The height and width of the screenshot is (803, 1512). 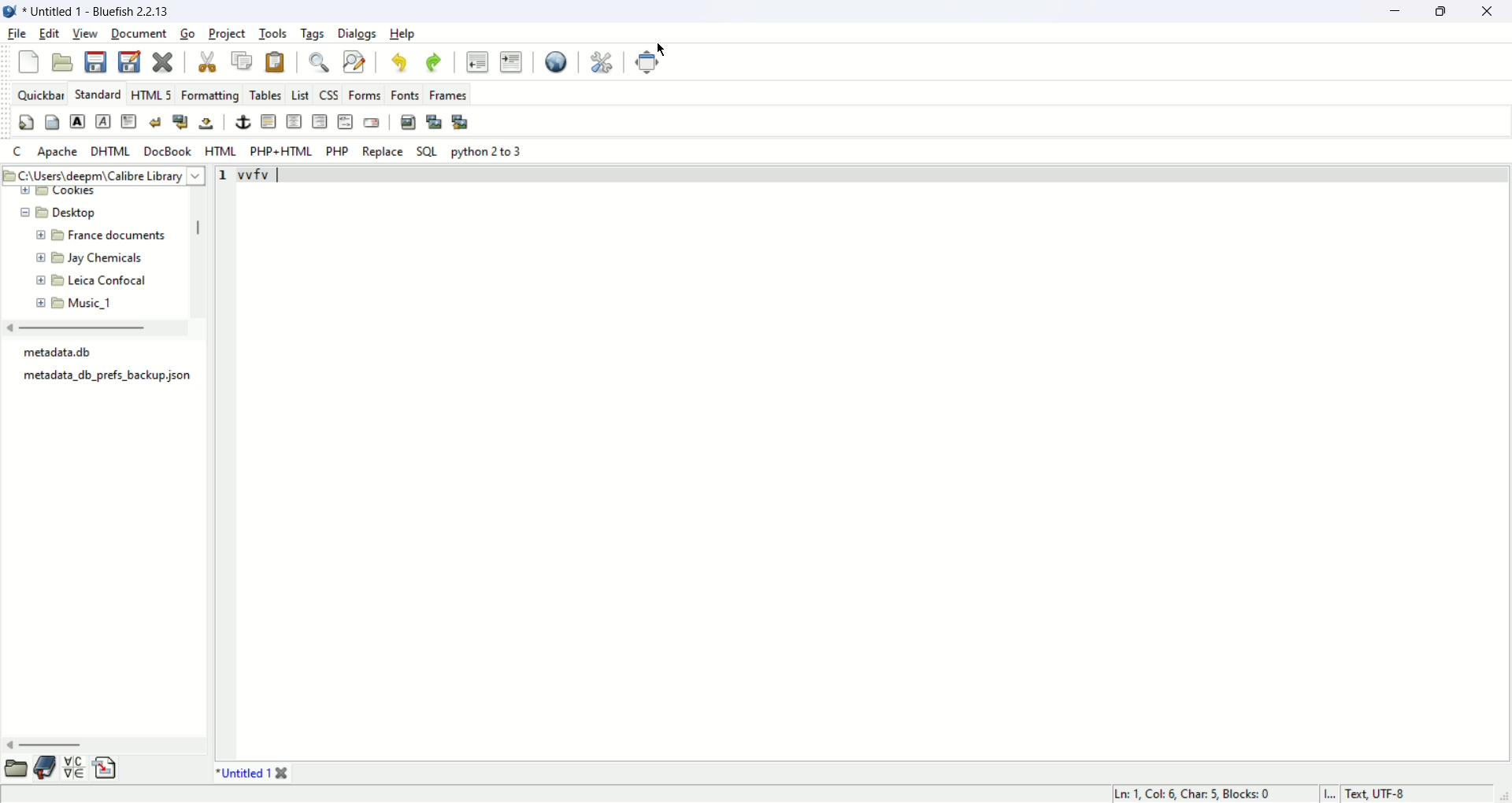 I want to click on advanced find and replace, so click(x=354, y=61).